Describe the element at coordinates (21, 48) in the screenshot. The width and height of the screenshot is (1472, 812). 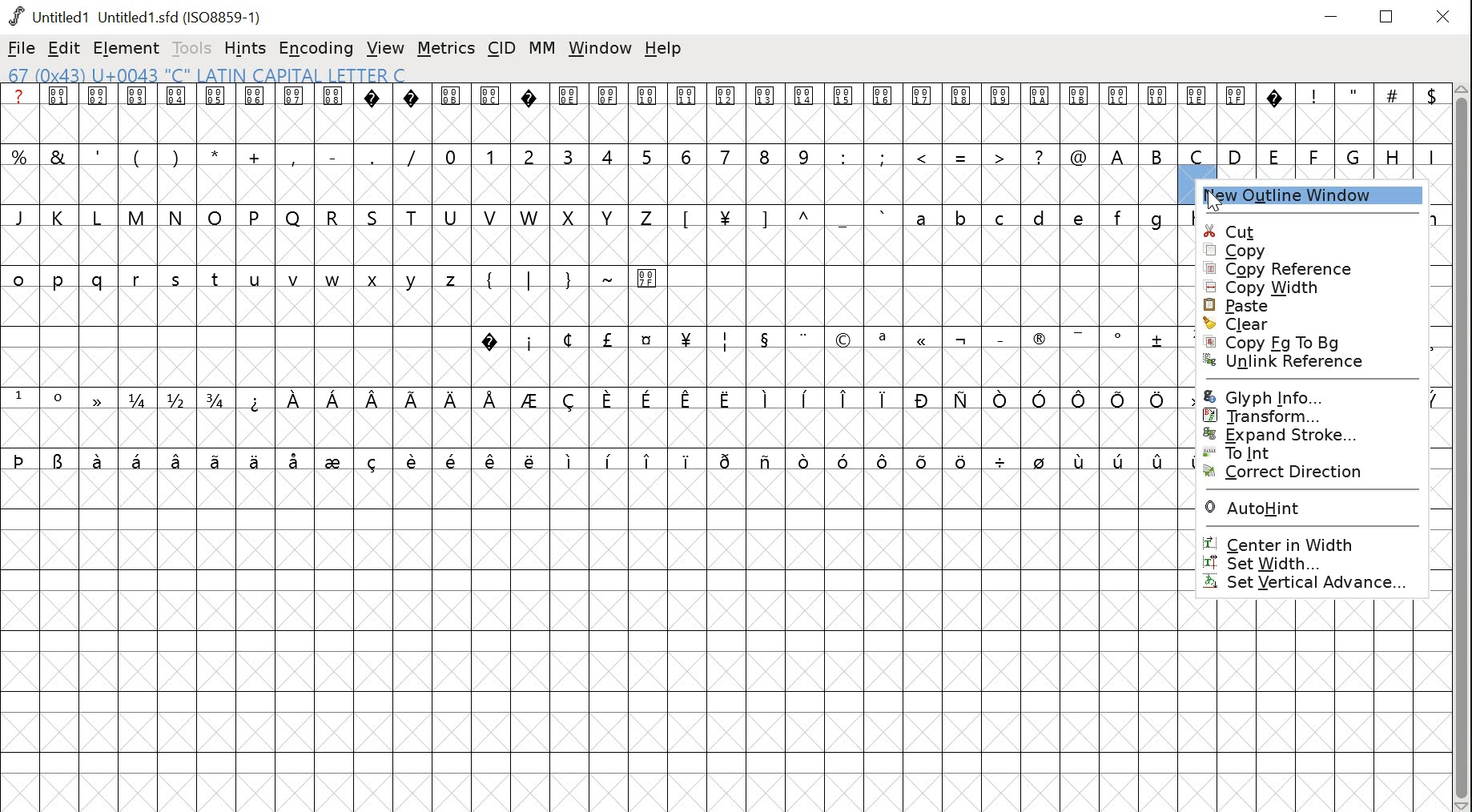
I see `file` at that location.